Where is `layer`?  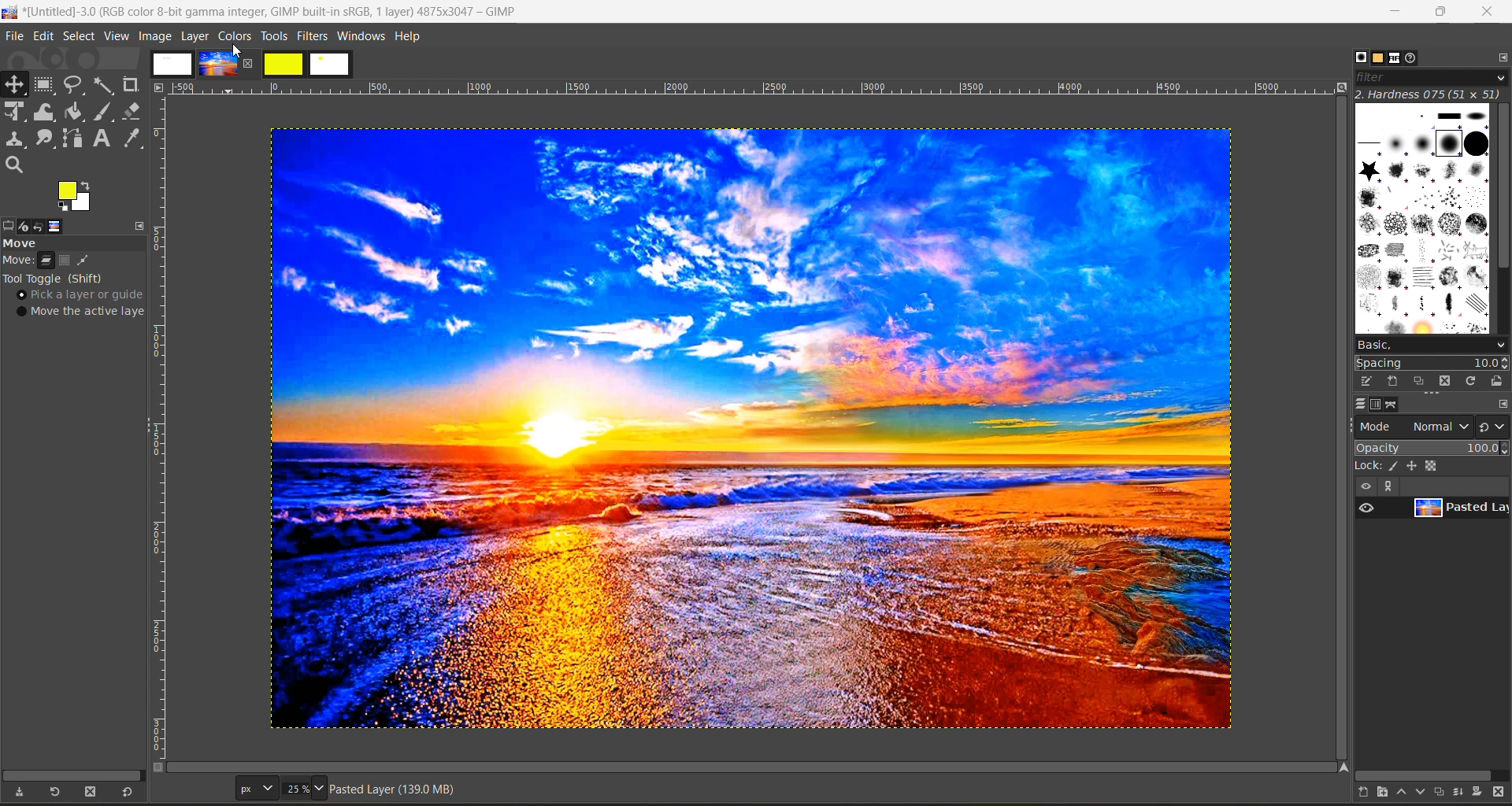
layer is located at coordinates (1460, 508).